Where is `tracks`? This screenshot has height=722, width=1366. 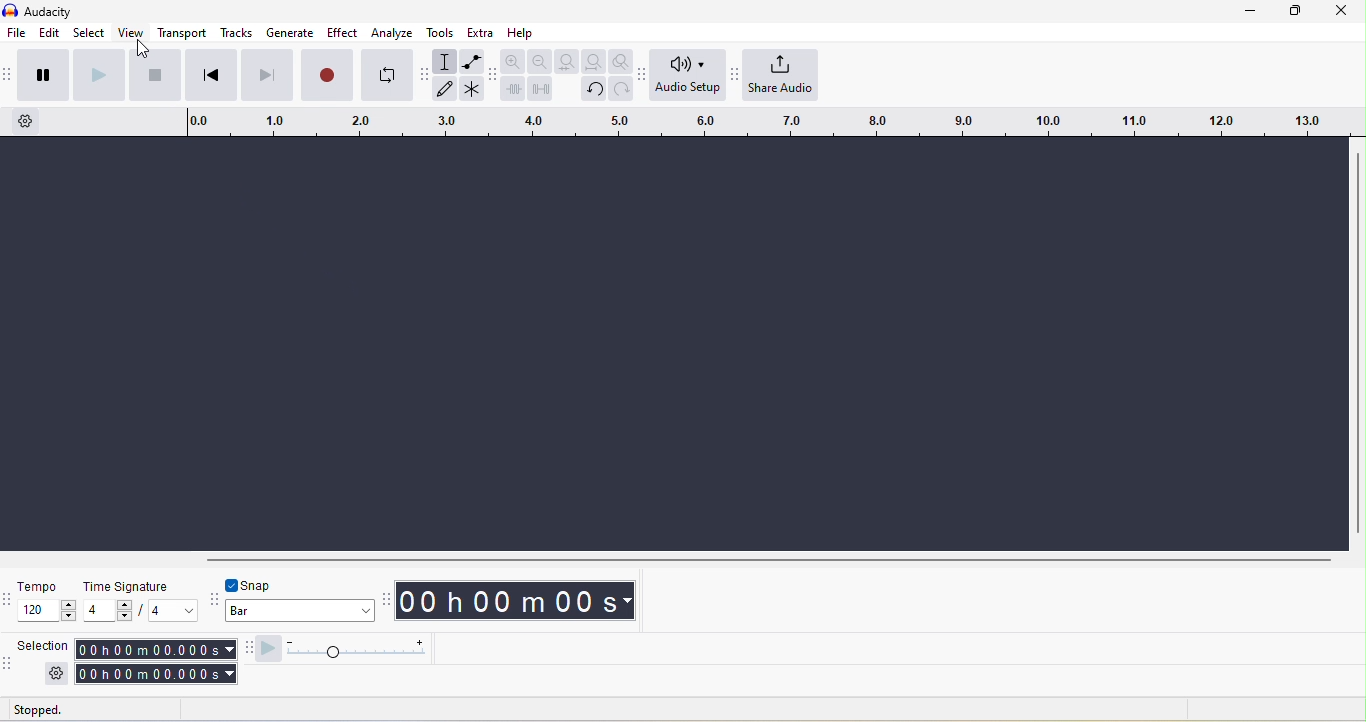 tracks is located at coordinates (236, 32).